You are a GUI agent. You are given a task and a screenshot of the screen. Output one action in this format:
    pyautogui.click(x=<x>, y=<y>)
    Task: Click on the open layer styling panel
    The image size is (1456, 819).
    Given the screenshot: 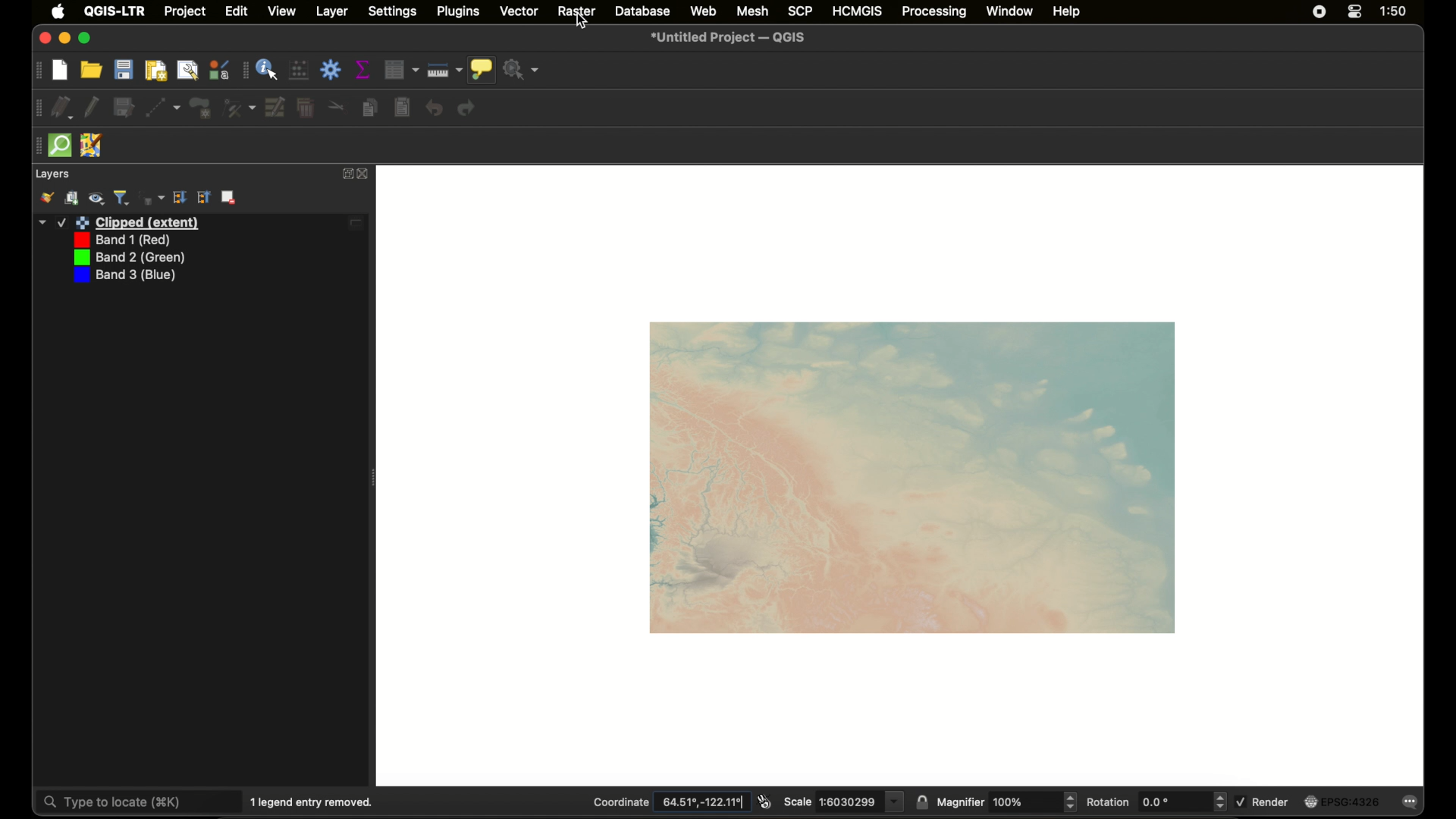 What is the action you would take?
    pyautogui.click(x=46, y=198)
    